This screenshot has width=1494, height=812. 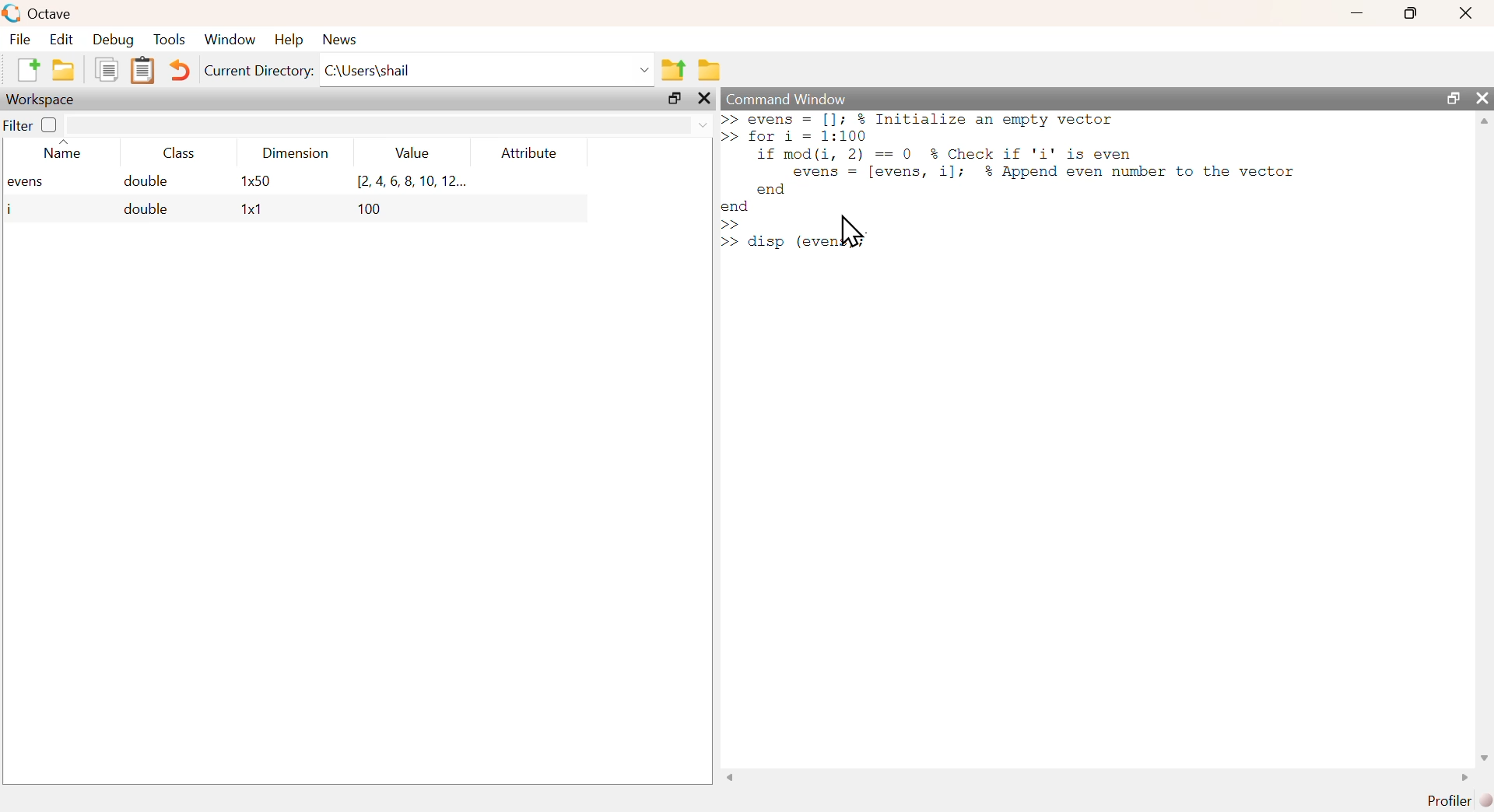 I want to click on scrollbar, so click(x=1098, y=777).